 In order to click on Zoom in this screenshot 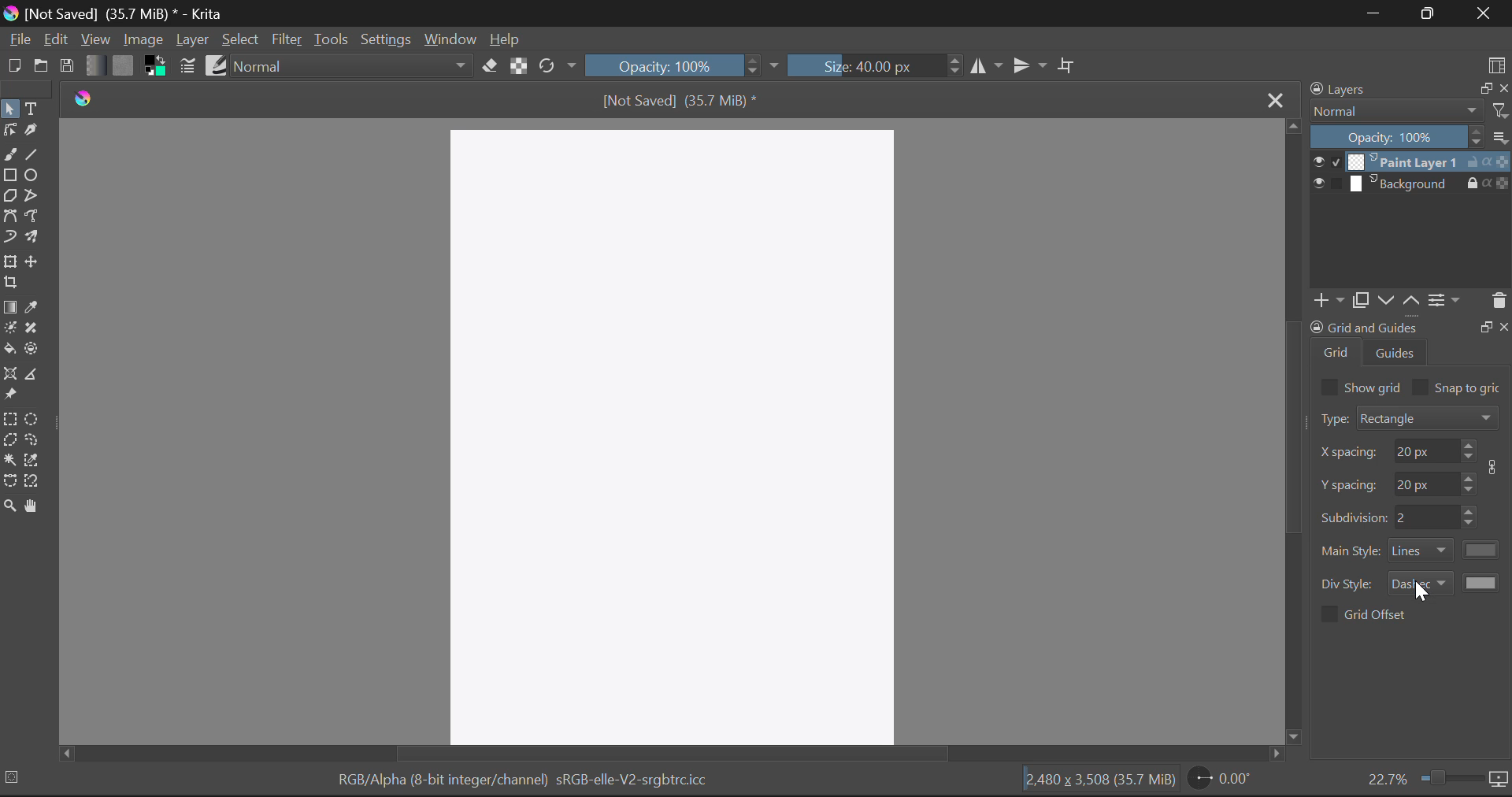, I will do `click(9, 506)`.